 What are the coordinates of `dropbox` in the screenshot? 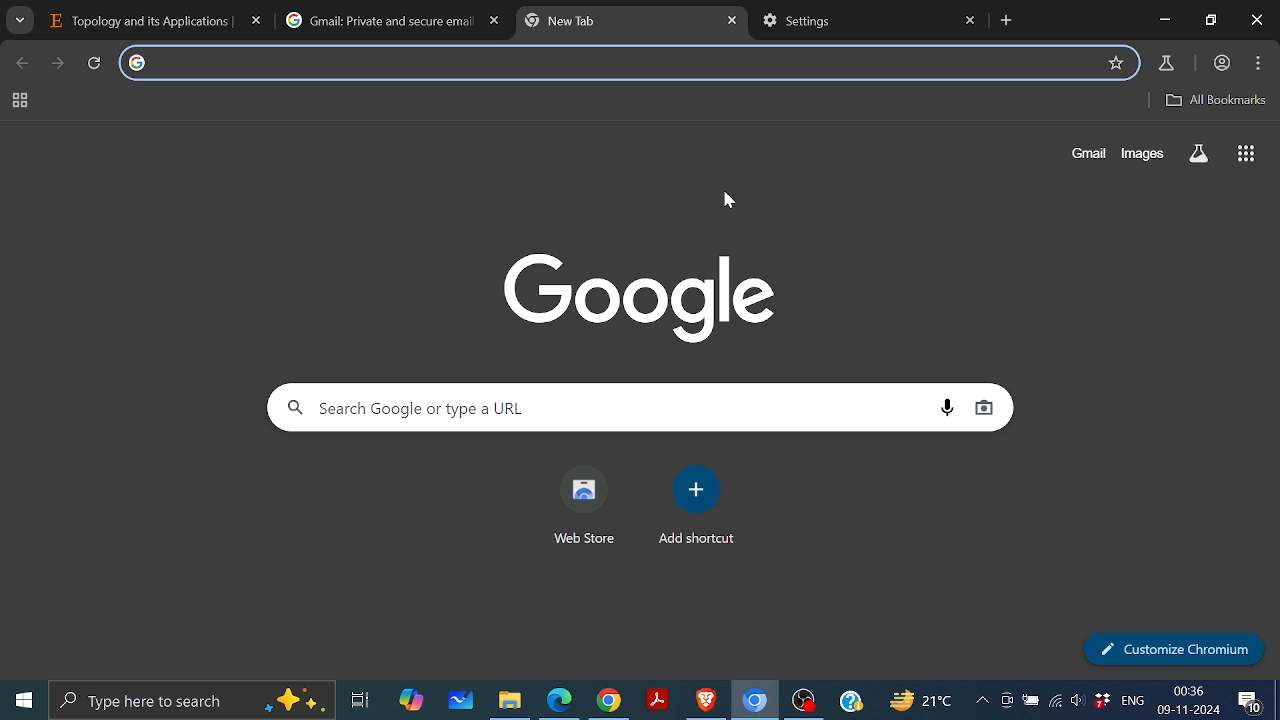 It's located at (1102, 700).